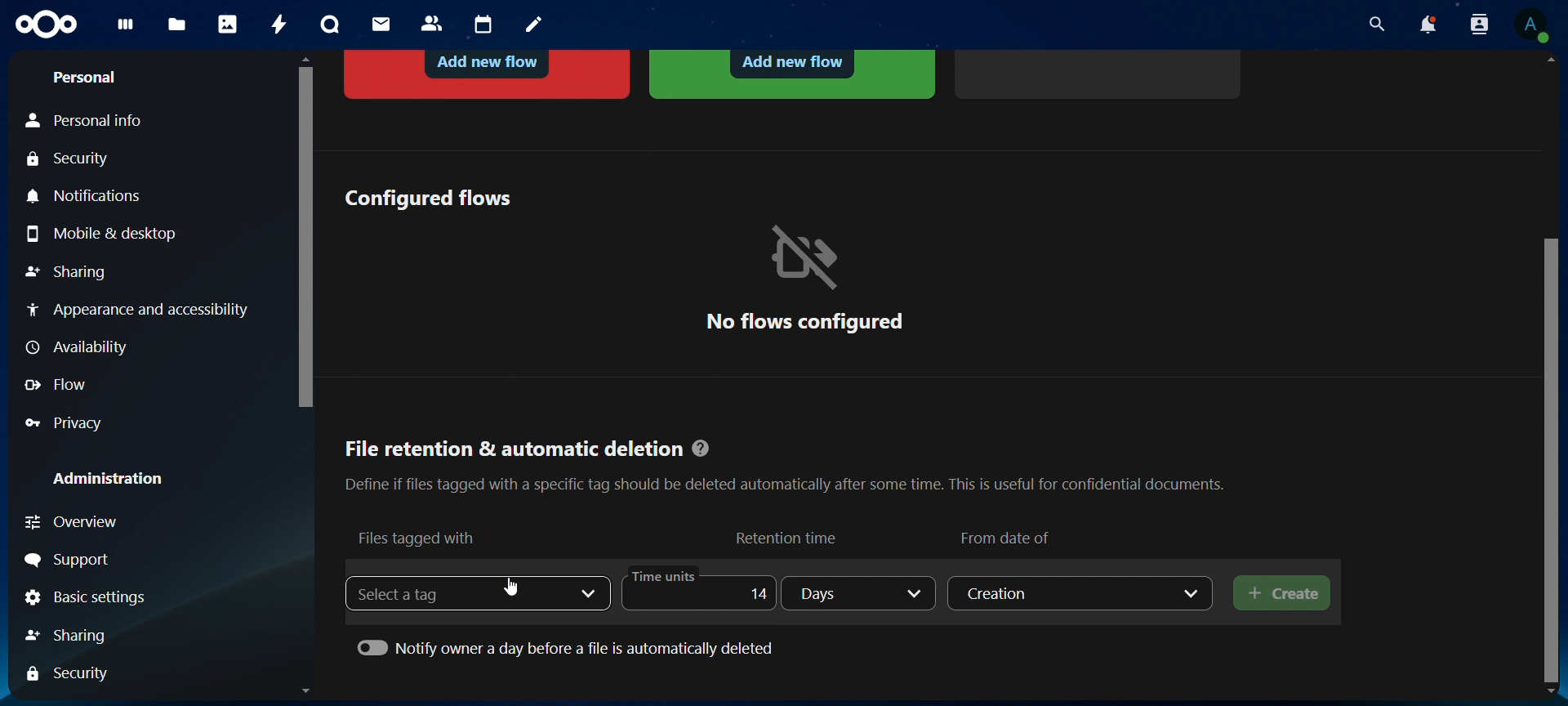 This screenshot has width=1568, height=706. Describe the element at coordinates (136, 309) in the screenshot. I see `appearance and accessibility` at that location.